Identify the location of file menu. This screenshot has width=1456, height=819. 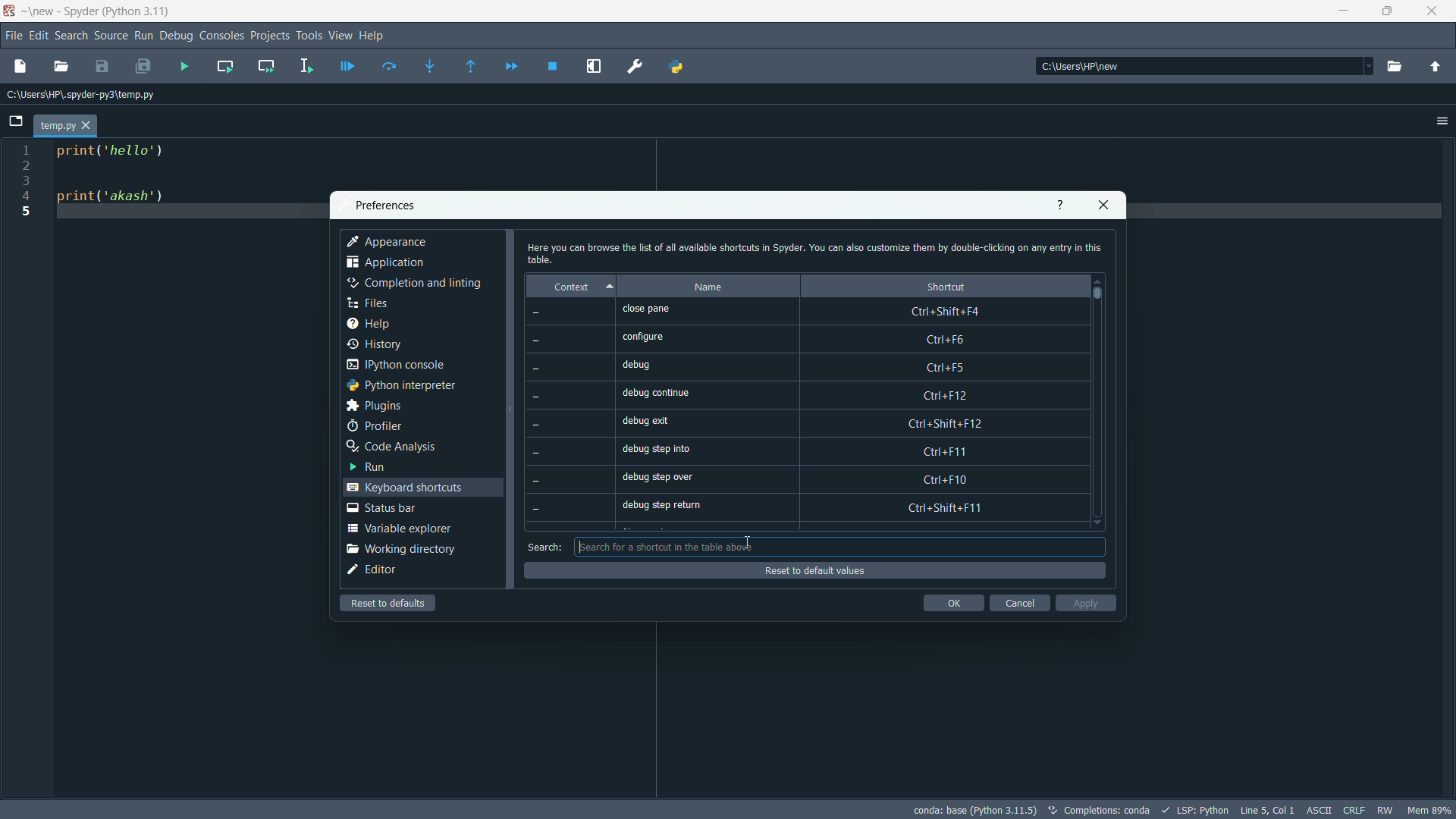
(13, 35).